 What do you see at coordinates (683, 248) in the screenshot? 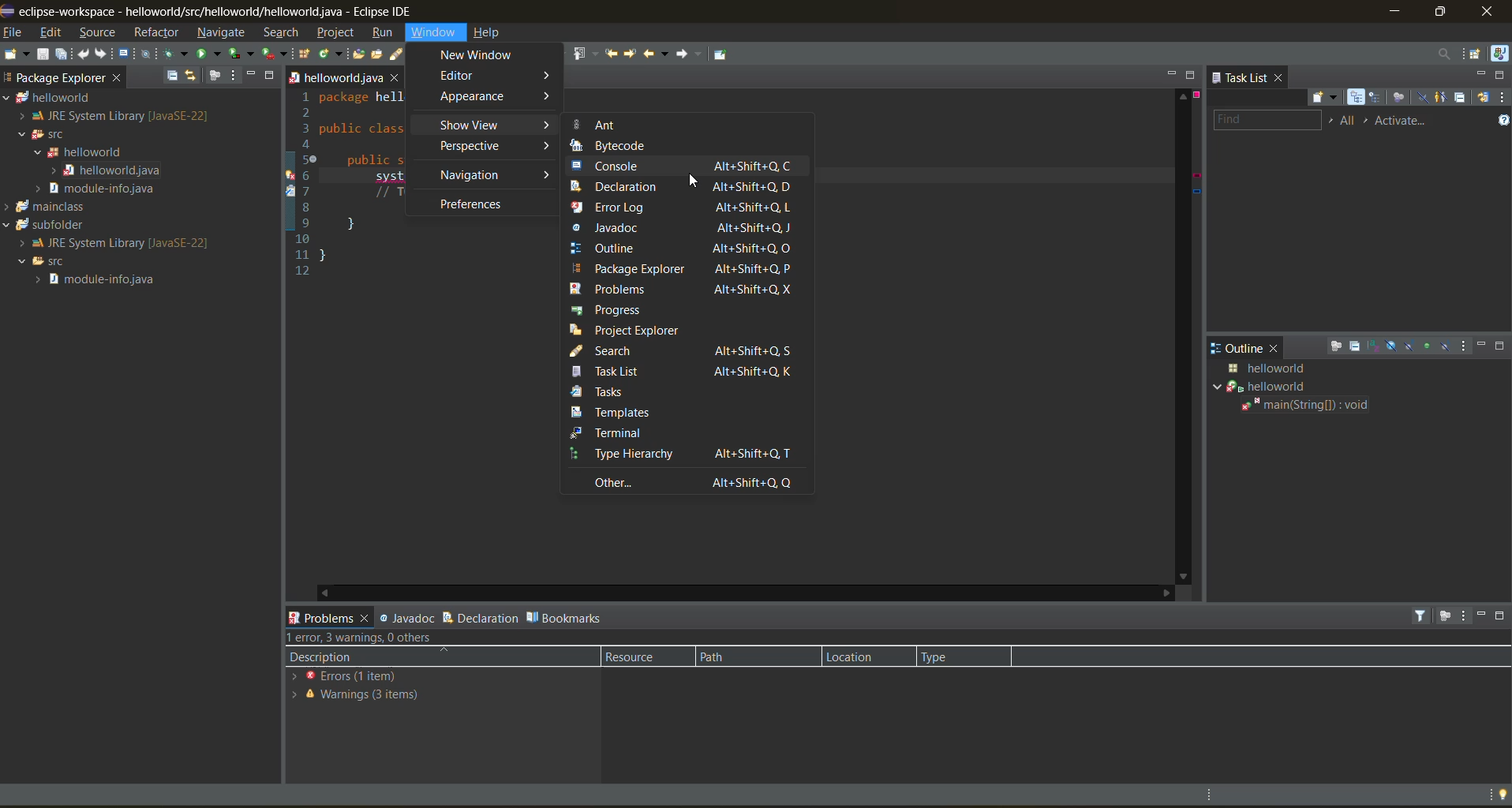
I see `outline` at bounding box center [683, 248].